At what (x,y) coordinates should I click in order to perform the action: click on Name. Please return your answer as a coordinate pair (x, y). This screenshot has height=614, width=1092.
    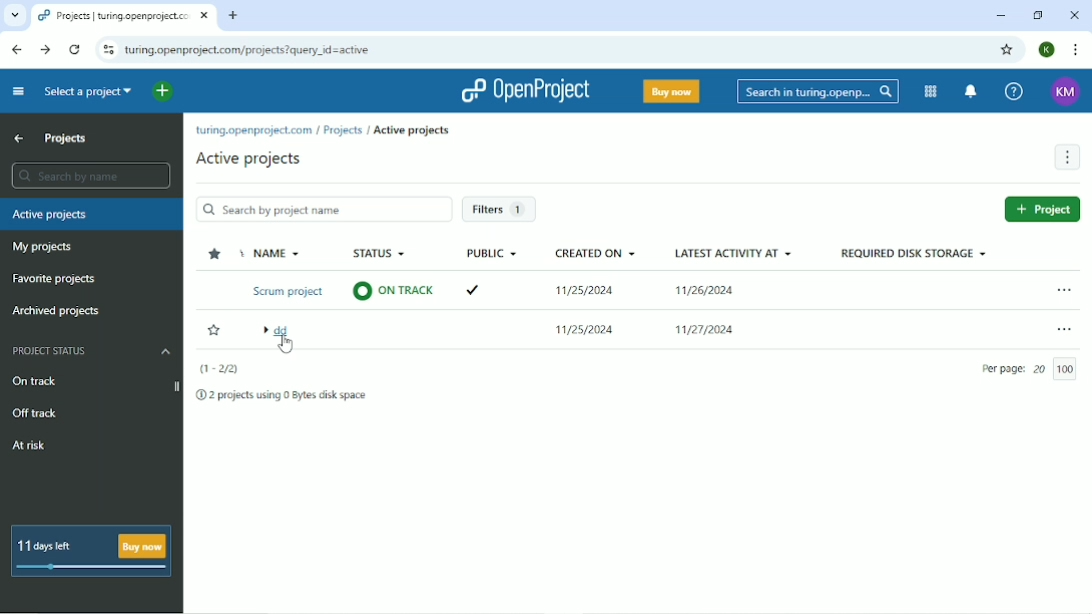
    Looking at the image, I should click on (276, 254).